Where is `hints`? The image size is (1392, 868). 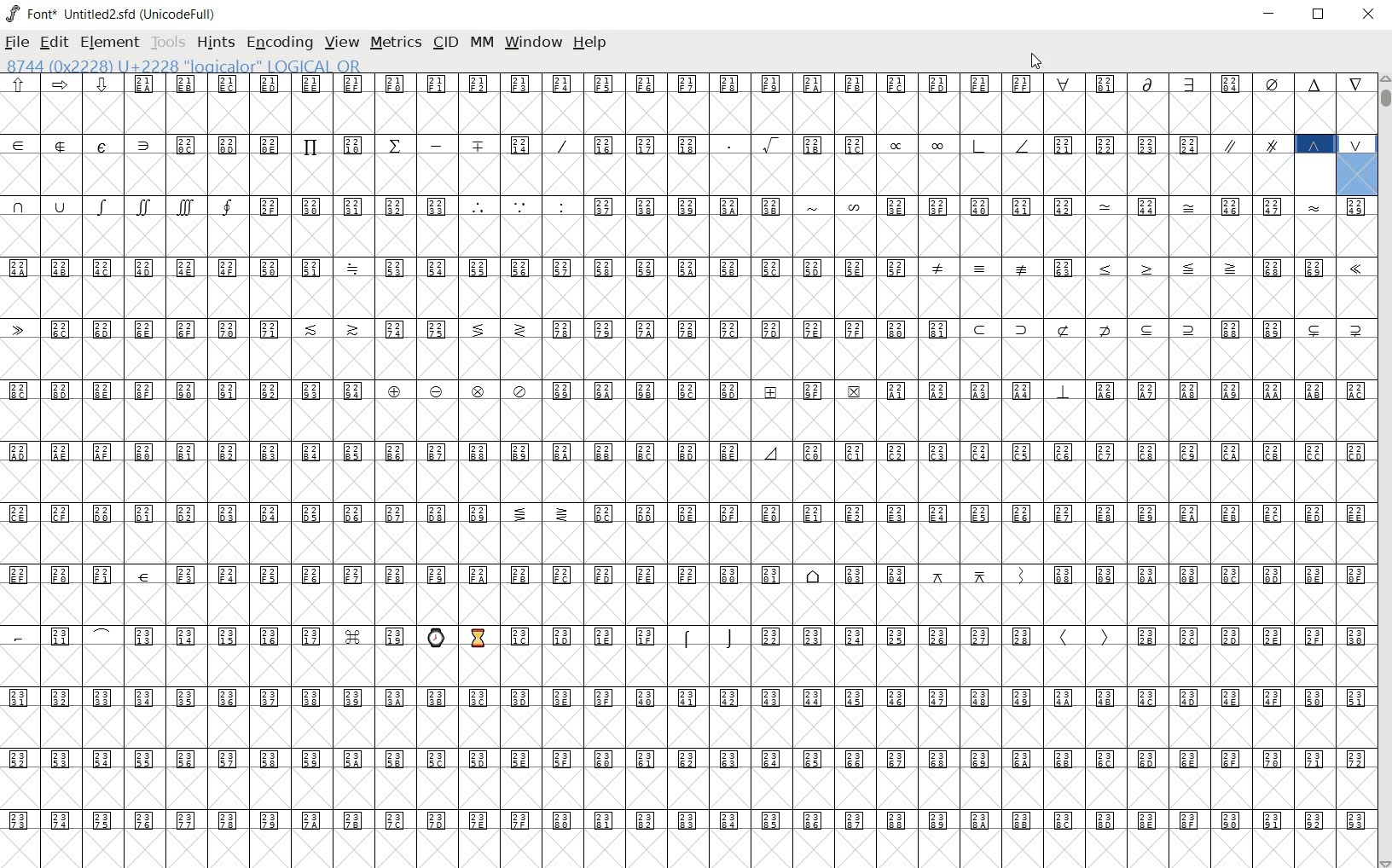
hints is located at coordinates (214, 44).